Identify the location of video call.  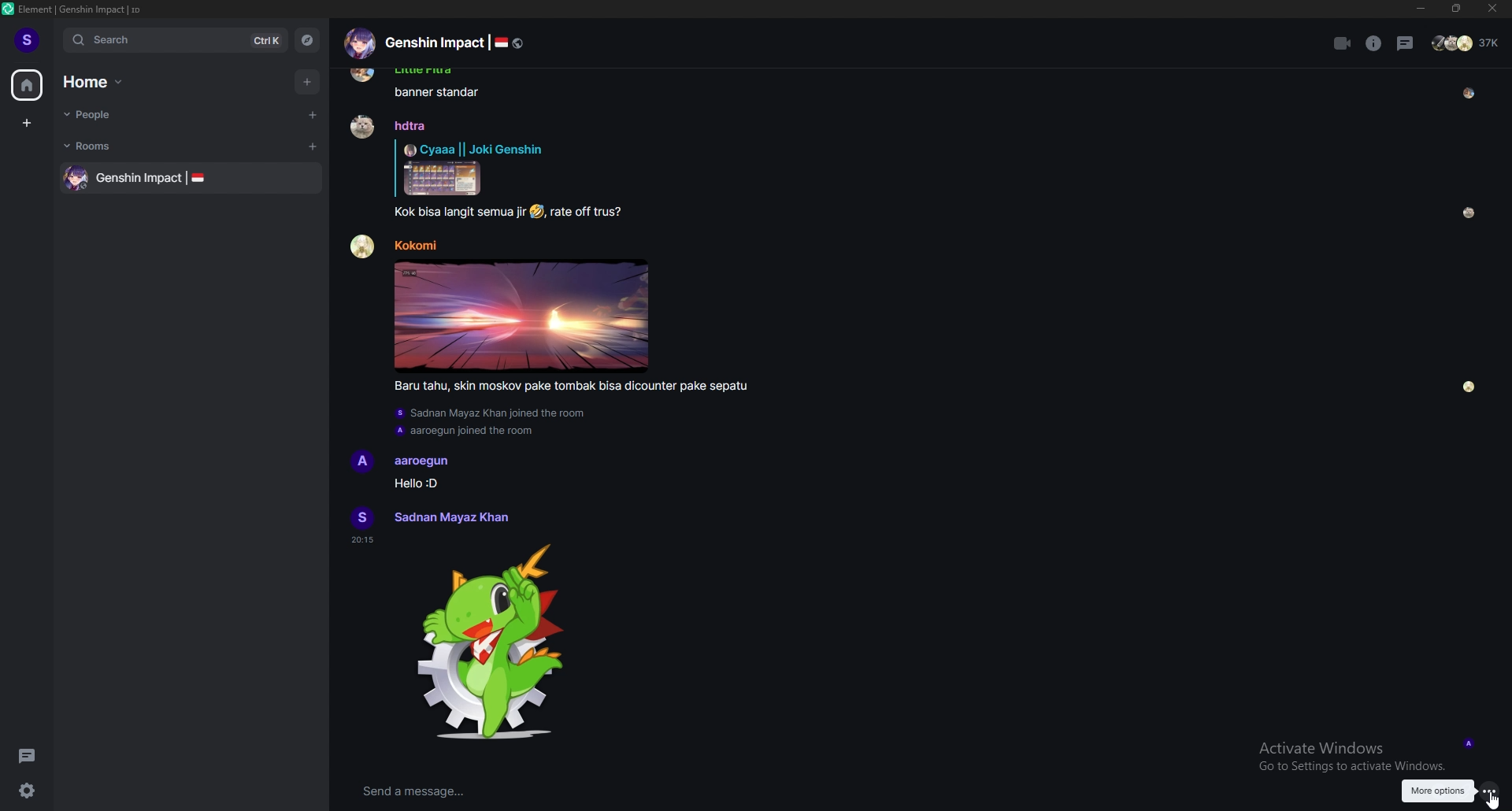
(1343, 43).